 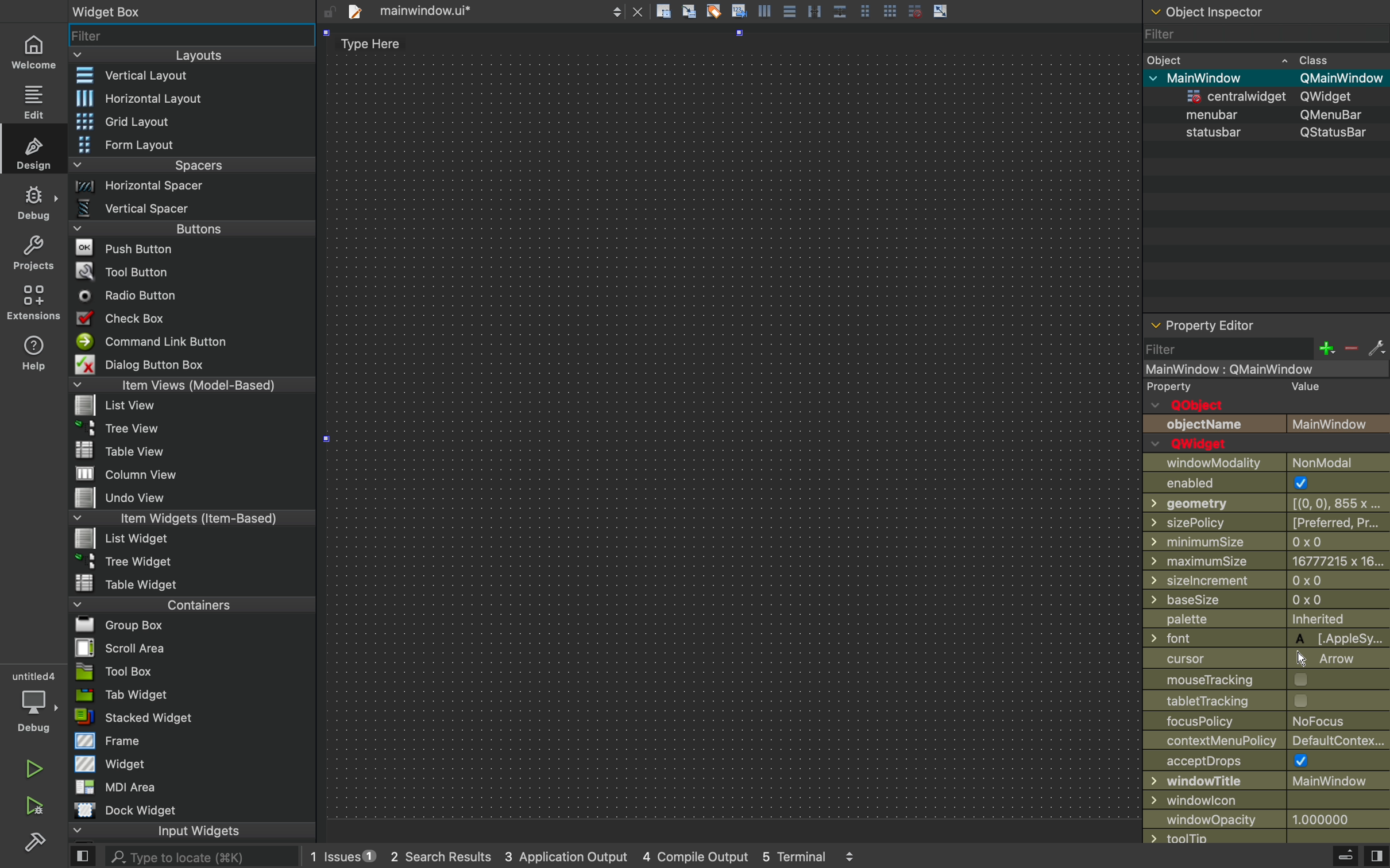 What do you see at coordinates (605, 855) in the screenshot?
I see `logs` at bounding box center [605, 855].